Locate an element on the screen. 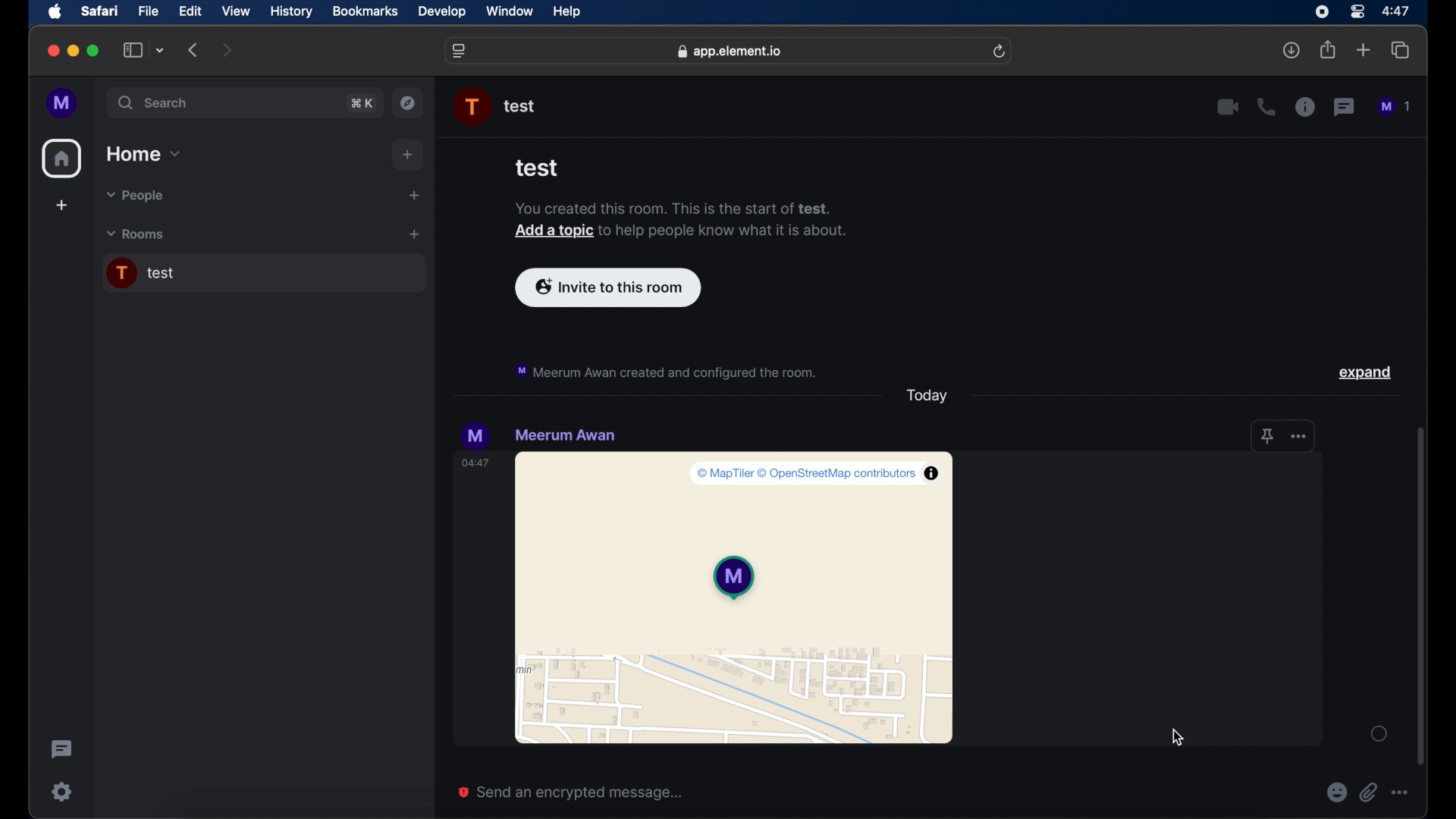 This screenshot has width=1456, height=819. history is located at coordinates (291, 11).